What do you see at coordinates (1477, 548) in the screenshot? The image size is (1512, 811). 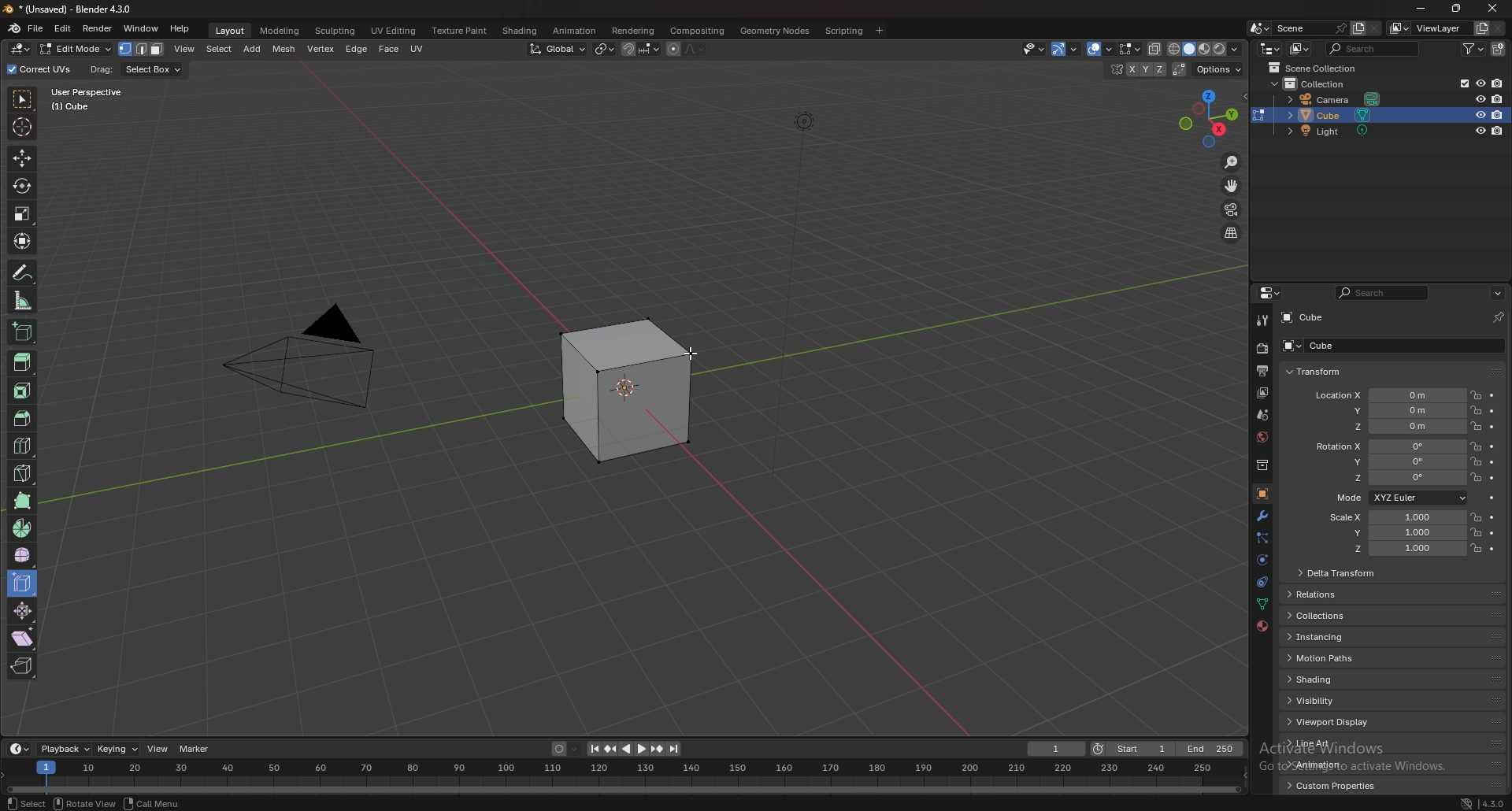 I see `lock` at bounding box center [1477, 548].